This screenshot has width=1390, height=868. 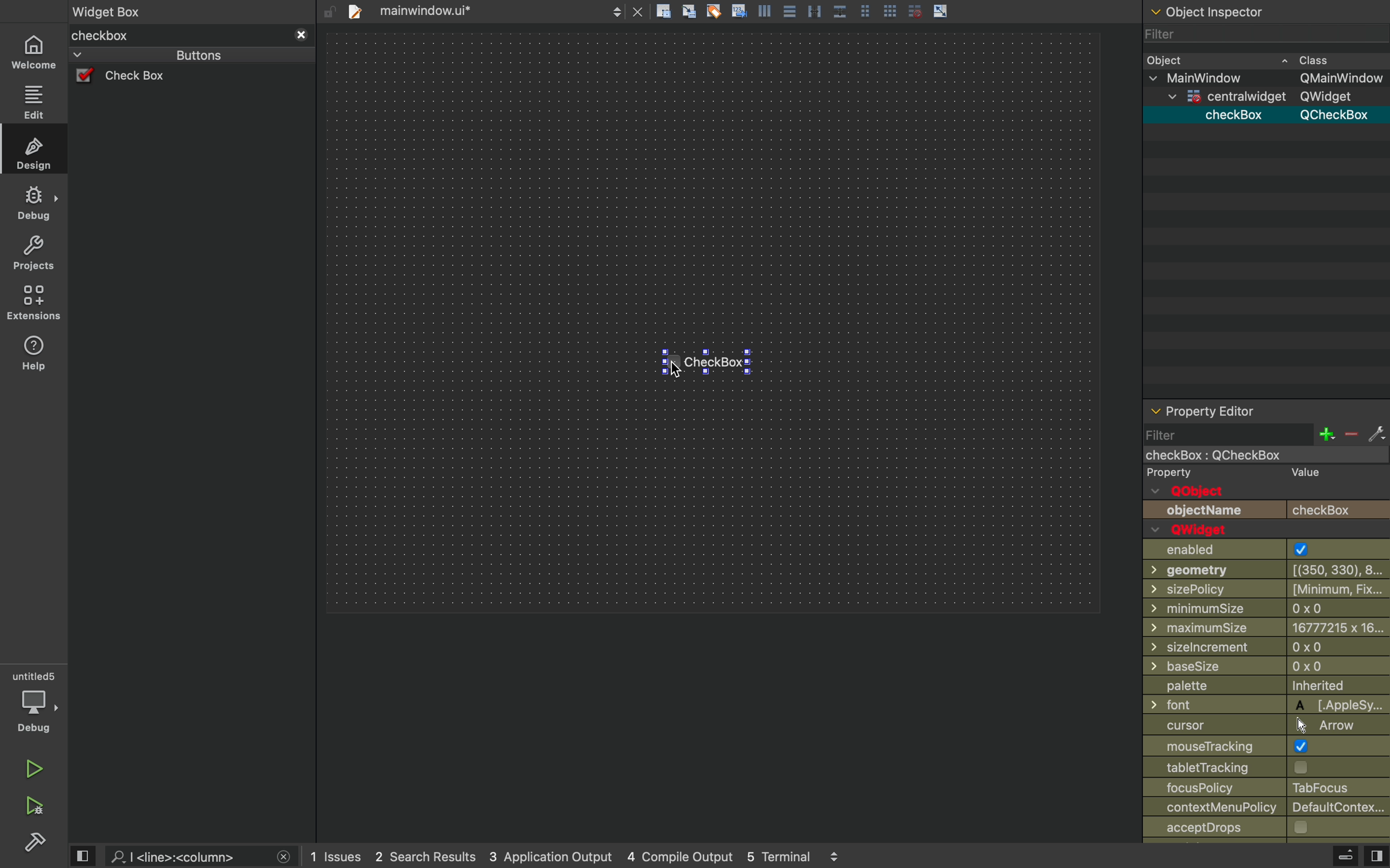 What do you see at coordinates (1265, 10) in the screenshot?
I see `object inspector` at bounding box center [1265, 10].